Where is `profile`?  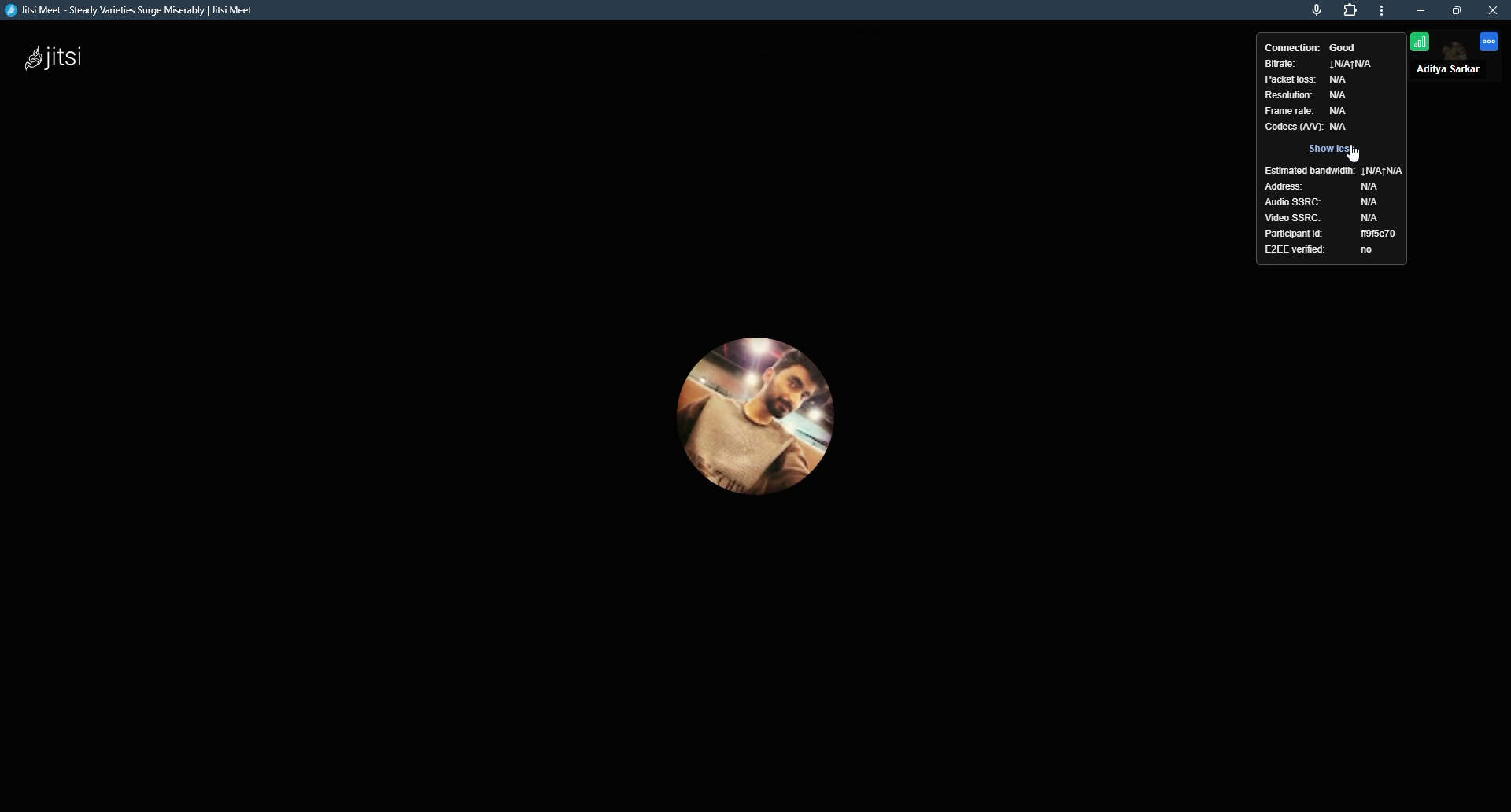 profile is located at coordinates (1453, 72).